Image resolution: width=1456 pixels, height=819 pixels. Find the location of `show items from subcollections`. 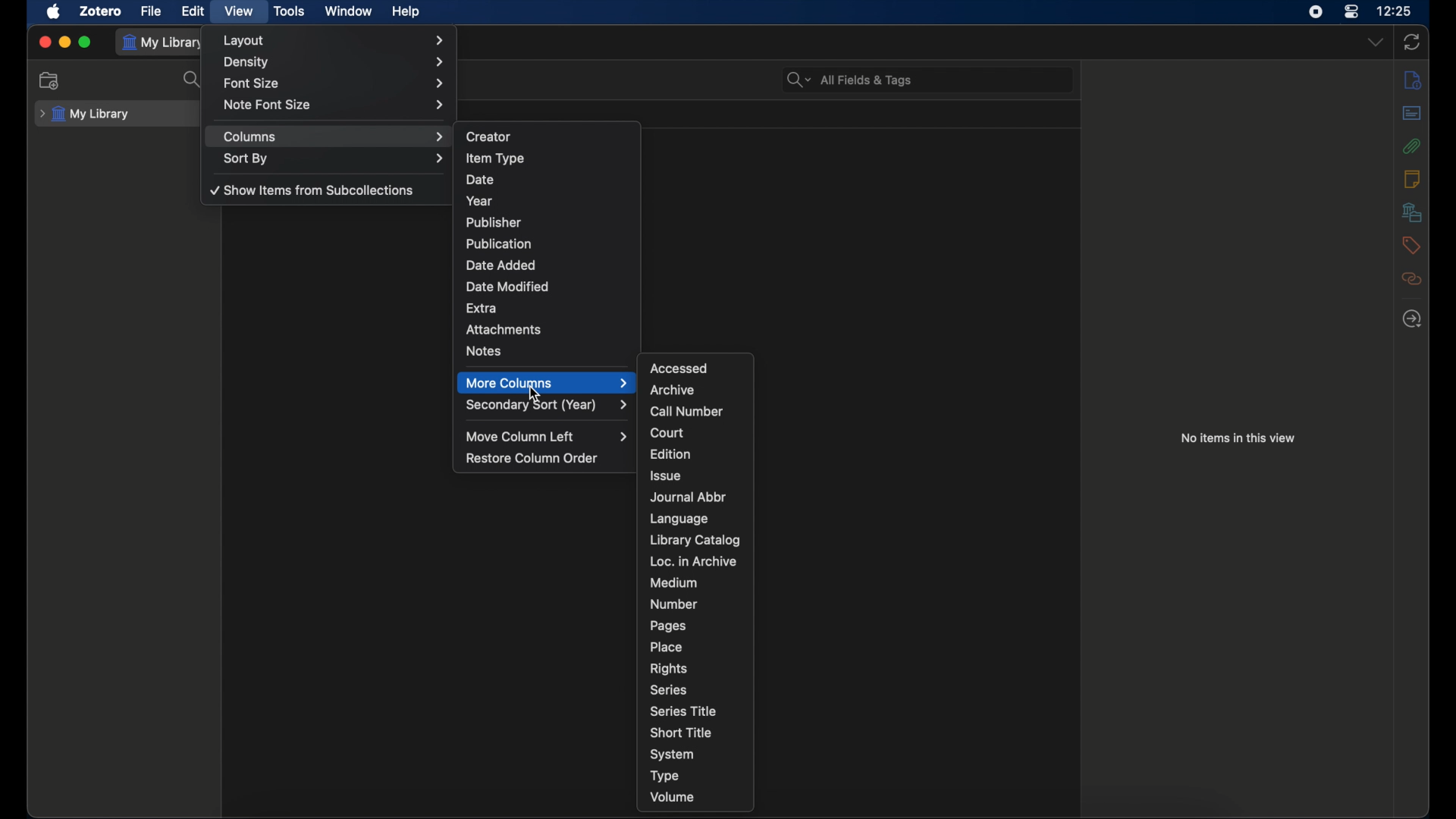

show items from subcollections is located at coordinates (310, 190).